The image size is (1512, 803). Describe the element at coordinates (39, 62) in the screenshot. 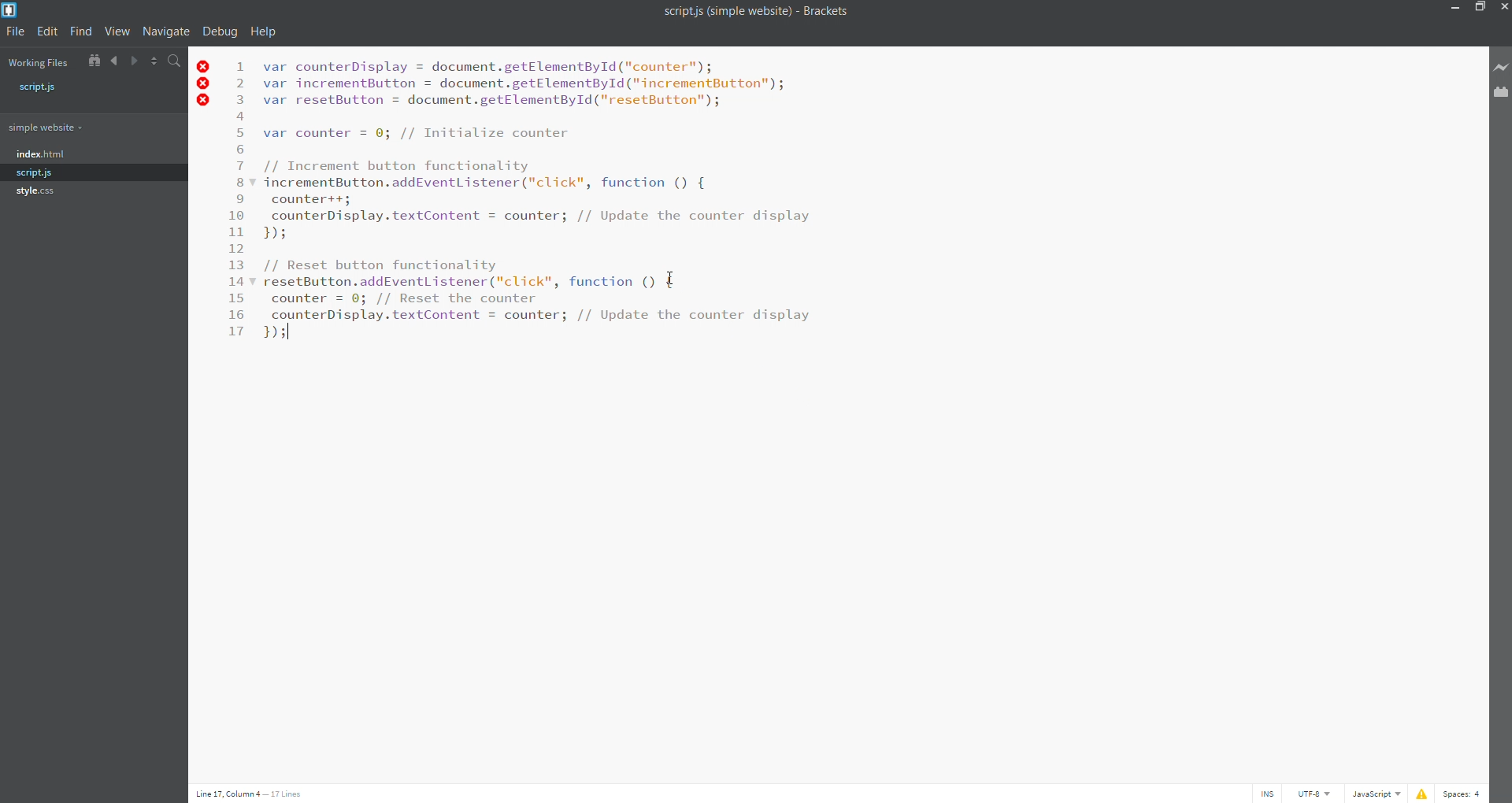

I see `working file` at that location.